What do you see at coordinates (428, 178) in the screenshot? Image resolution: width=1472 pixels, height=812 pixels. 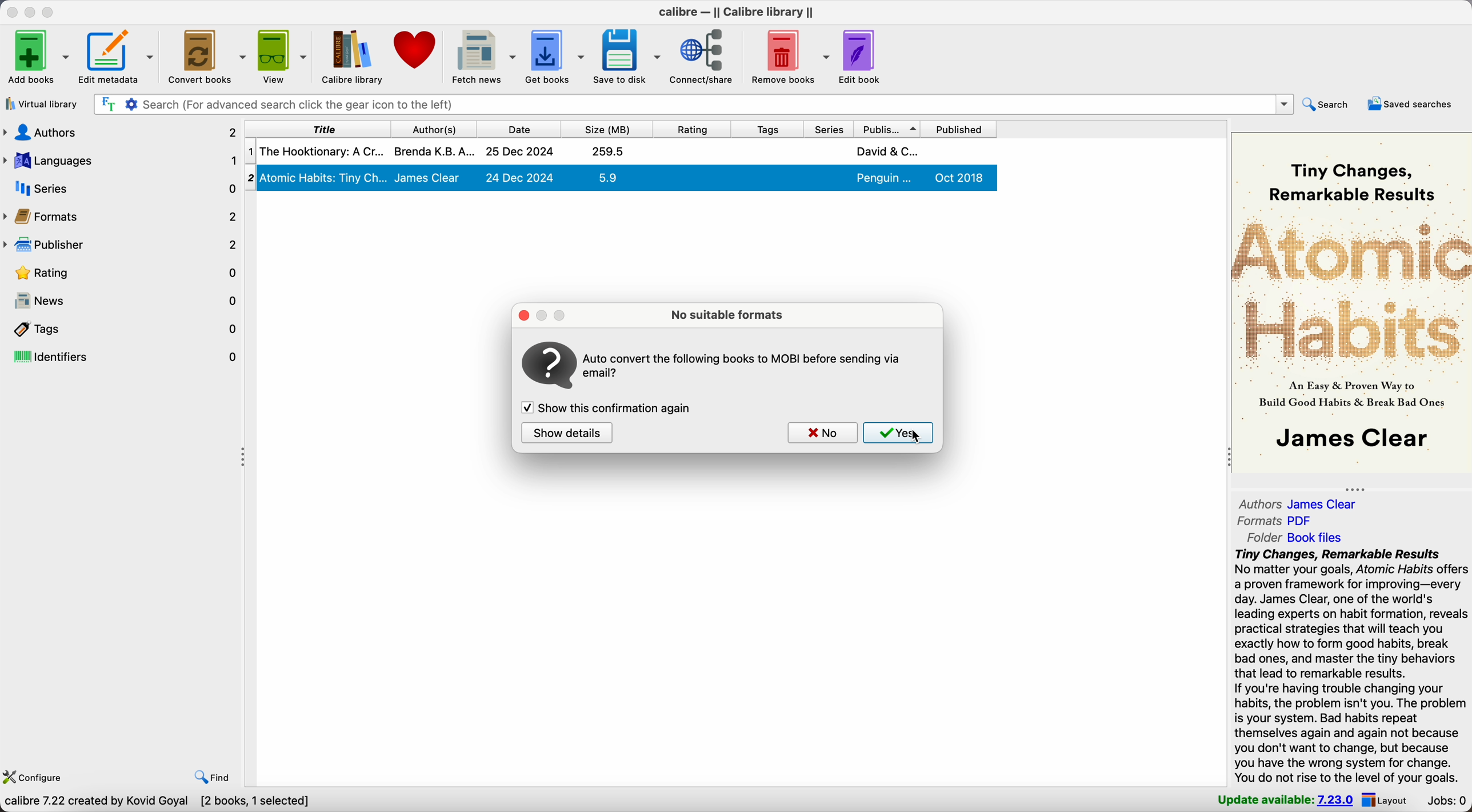 I see `James Clear` at bounding box center [428, 178].